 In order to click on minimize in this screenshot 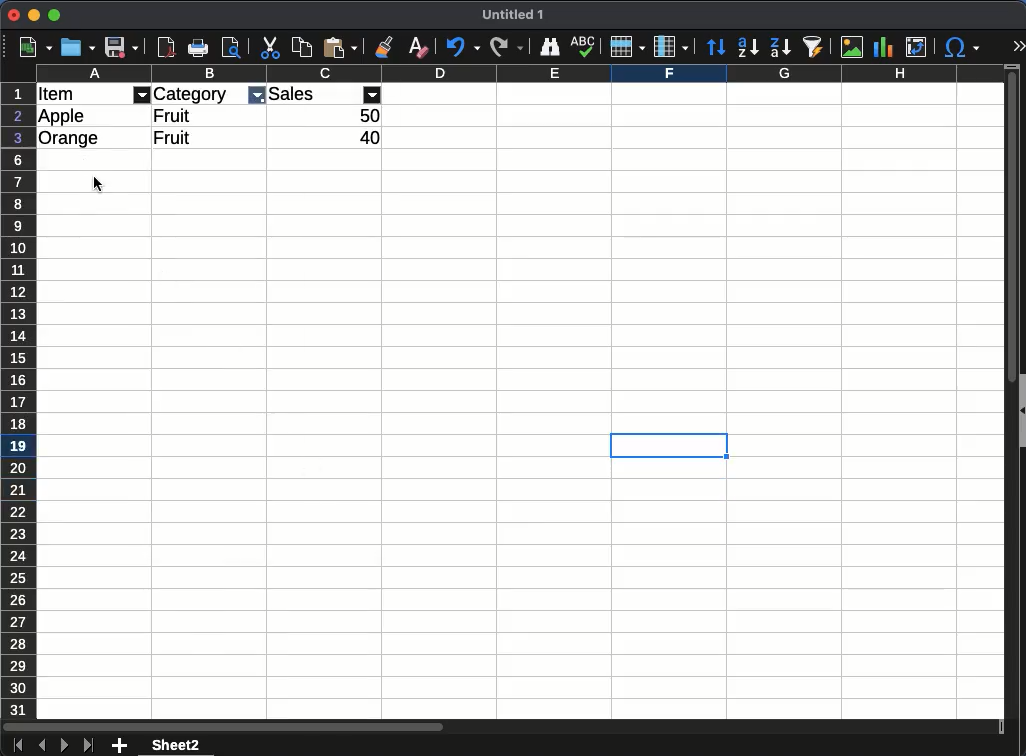, I will do `click(34, 15)`.